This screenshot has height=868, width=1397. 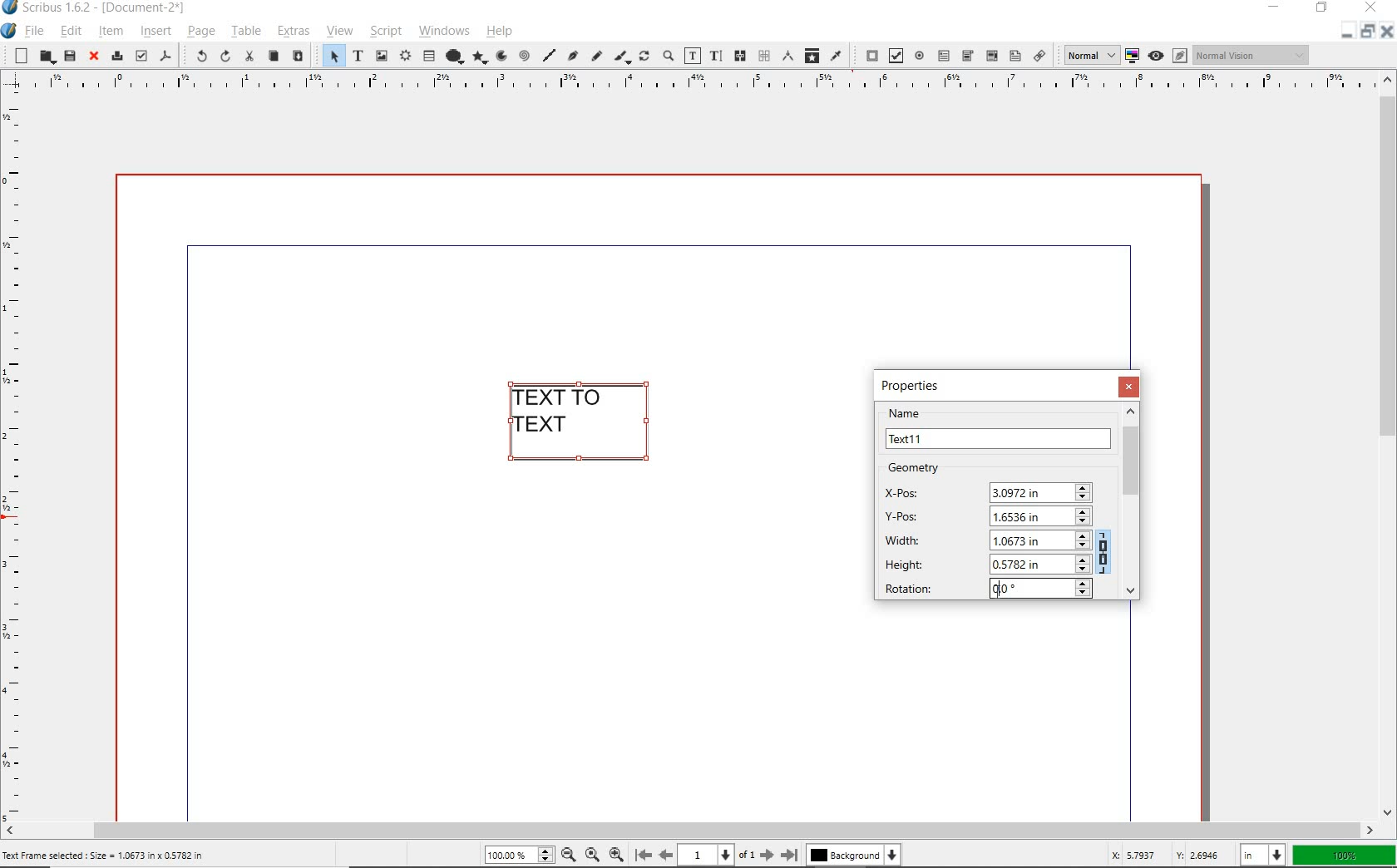 I want to click on undo, so click(x=195, y=57).